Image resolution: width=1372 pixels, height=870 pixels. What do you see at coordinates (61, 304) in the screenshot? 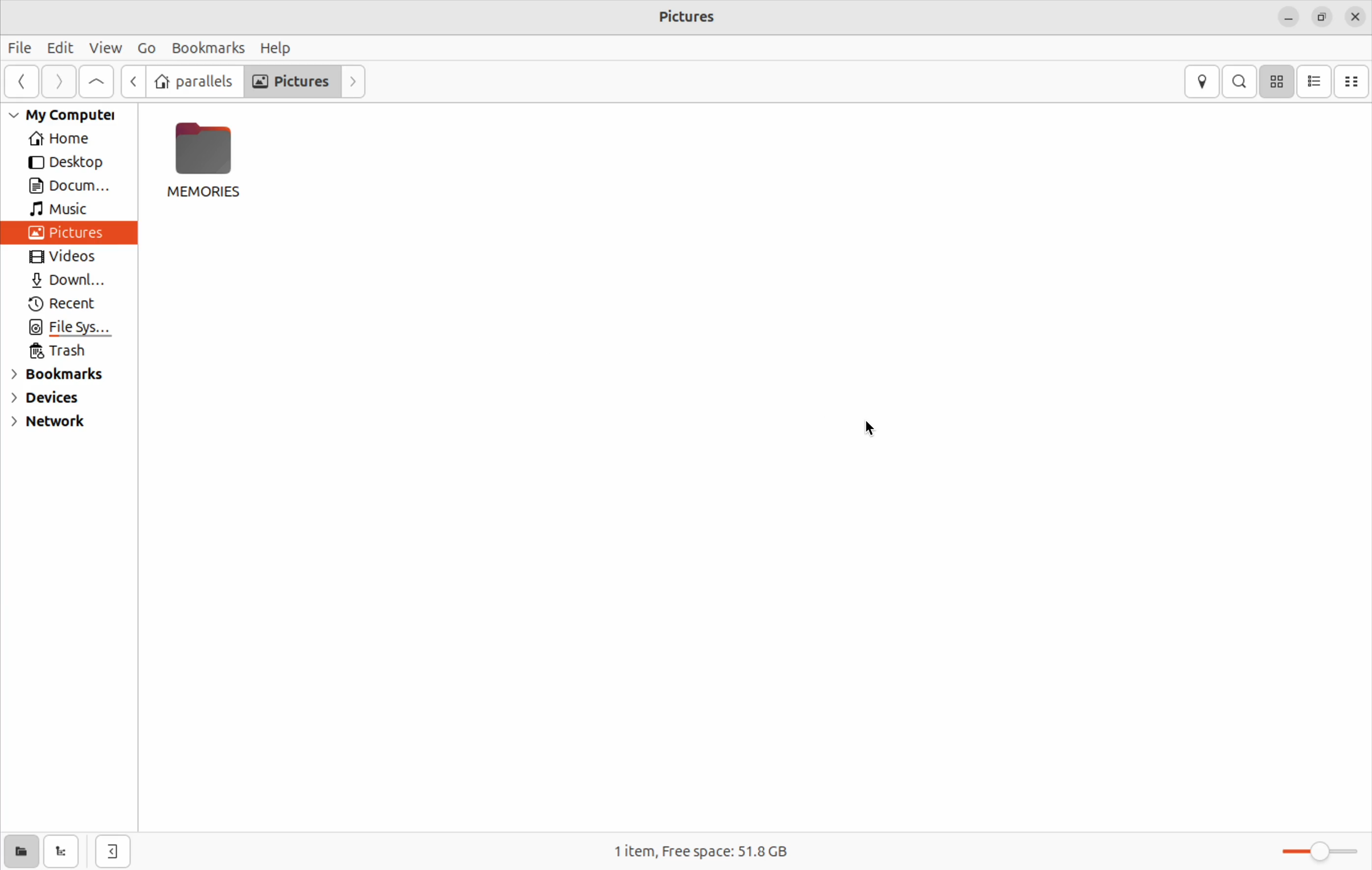
I see `Recent` at bounding box center [61, 304].